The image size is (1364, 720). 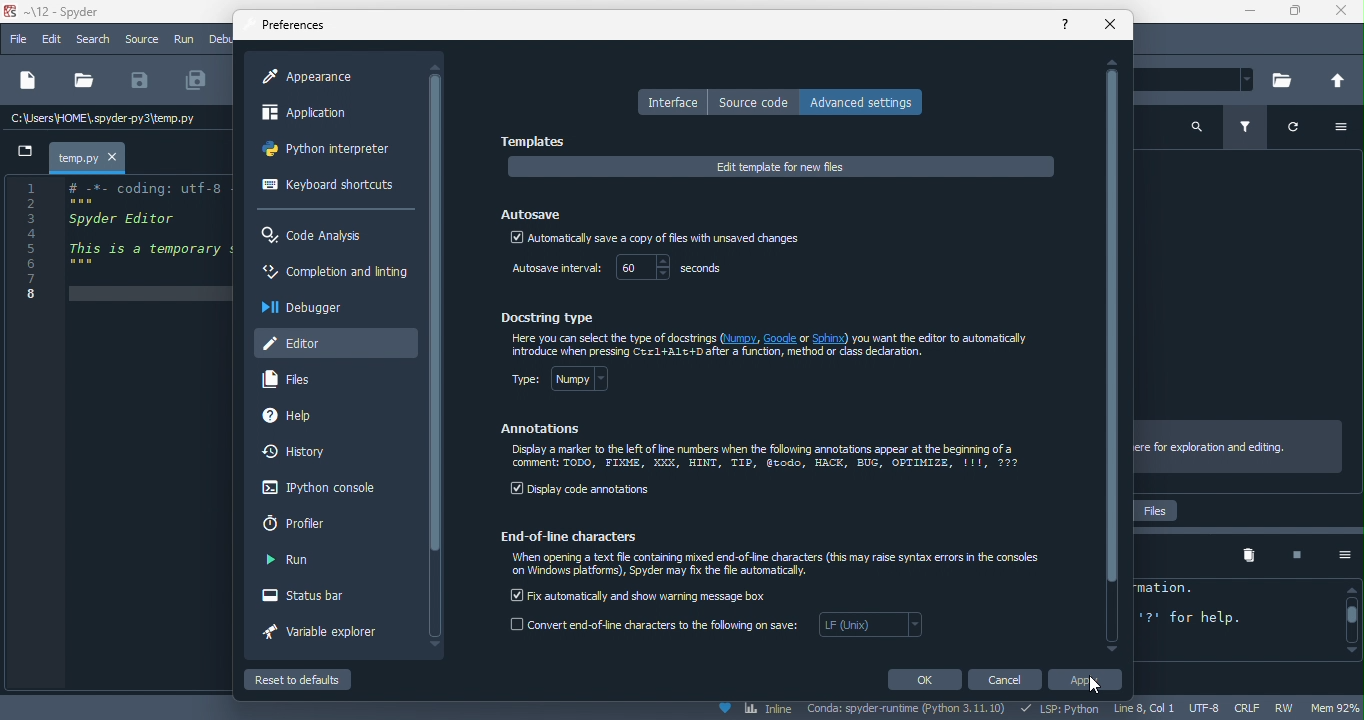 What do you see at coordinates (573, 383) in the screenshot?
I see `type` at bounding box center [573, 383].